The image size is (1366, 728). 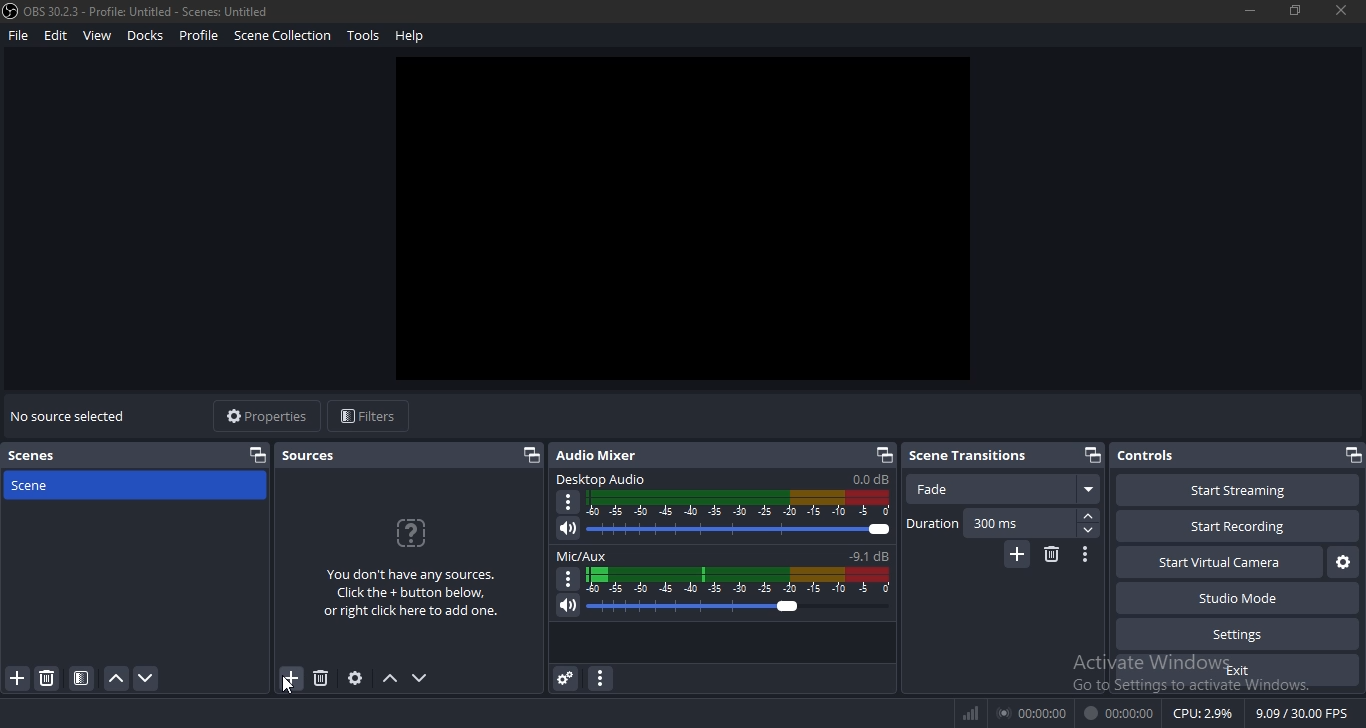 I want to click on audio mixer, so click(x=598, y=453).